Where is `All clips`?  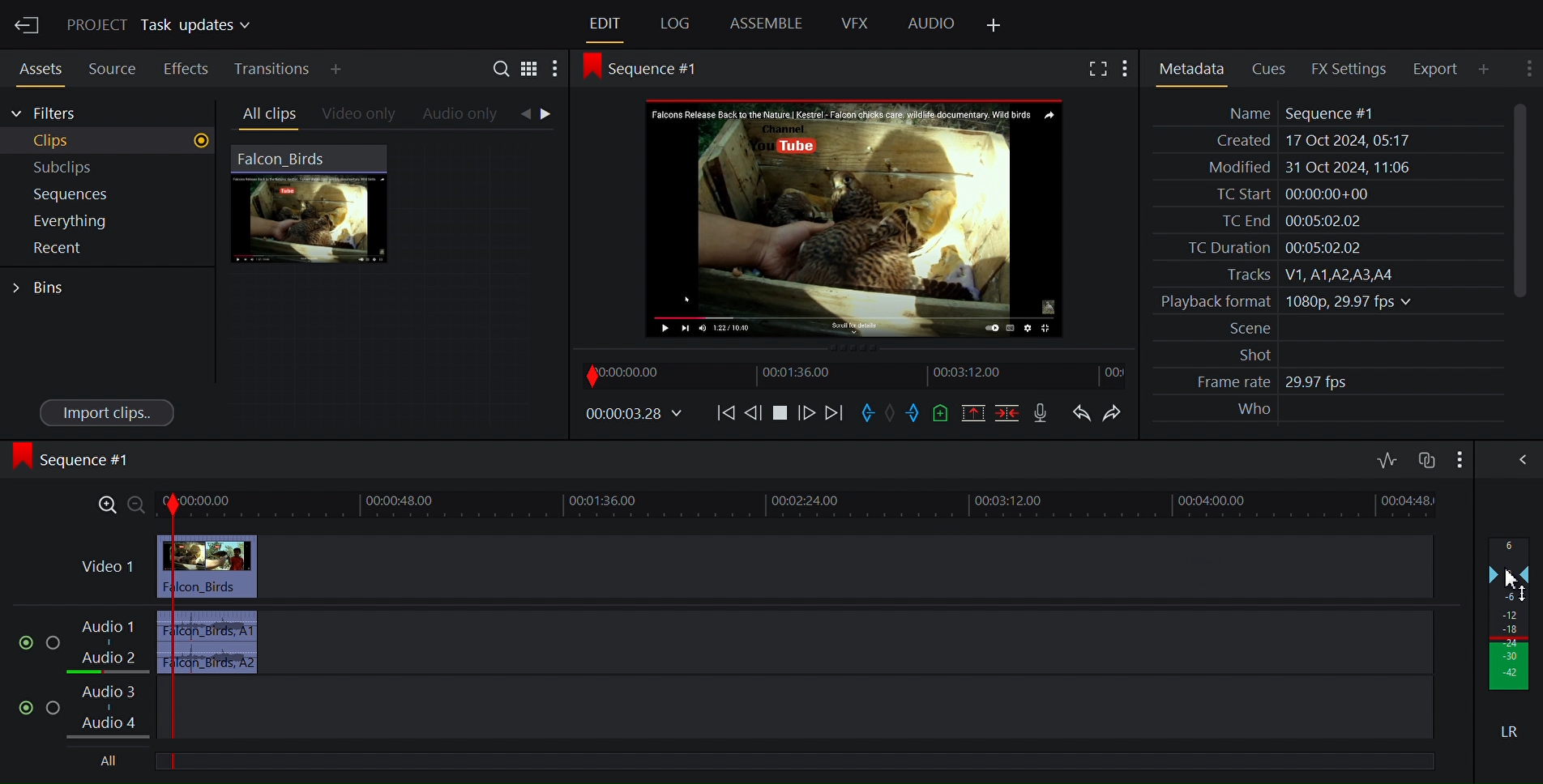
All clips is located at coordinates (265, 114).